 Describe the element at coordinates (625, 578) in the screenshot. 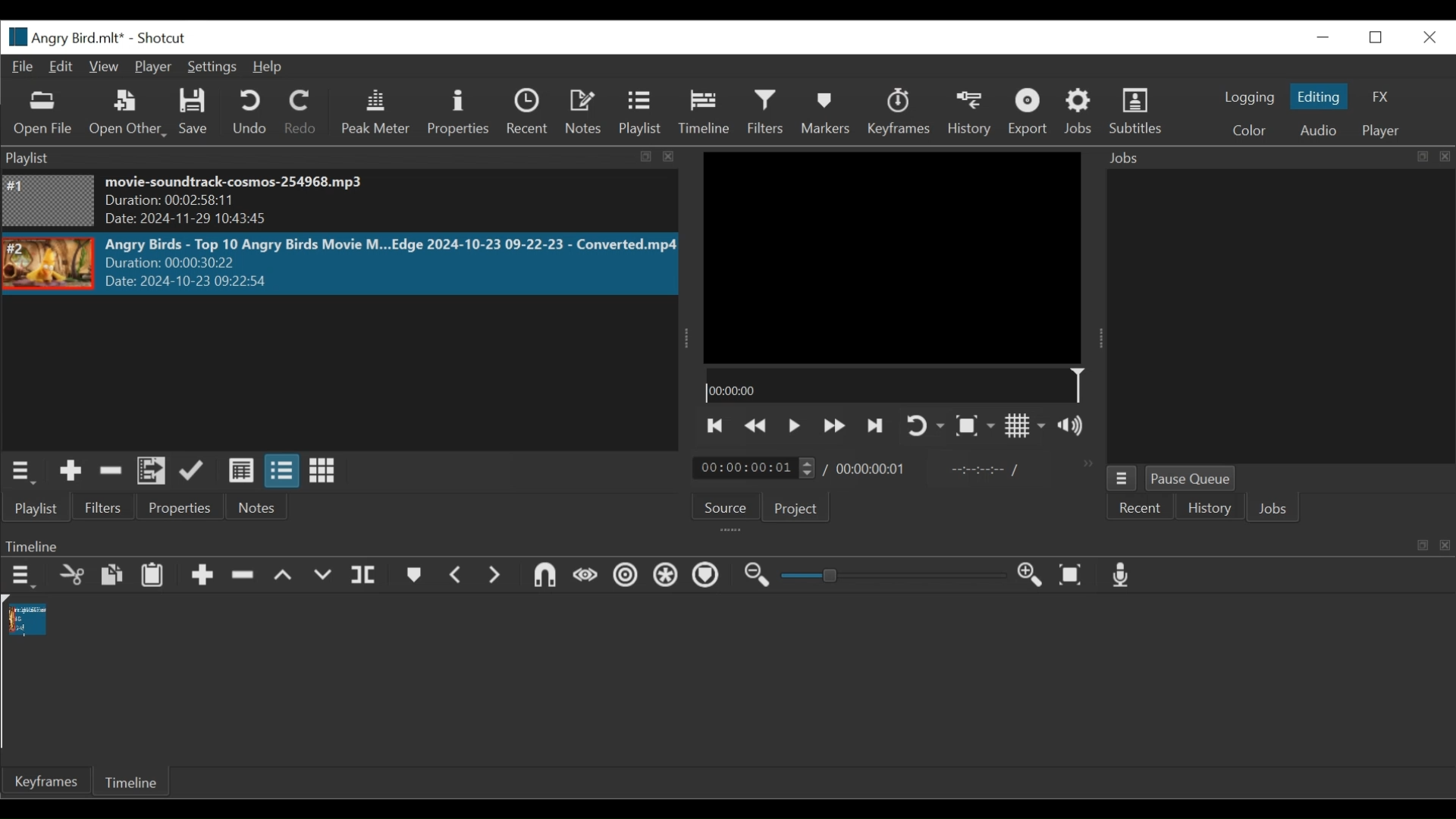

I see `Ripple` at that location.